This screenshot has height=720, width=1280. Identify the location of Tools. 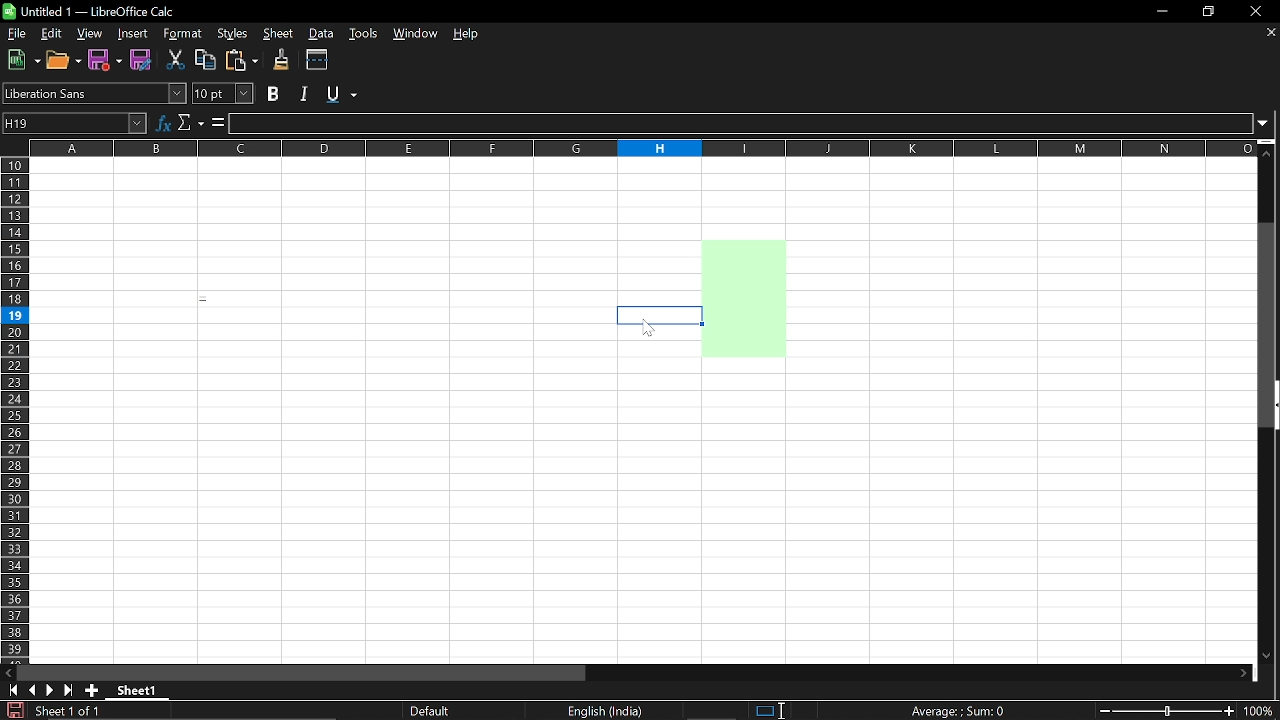
(366, 35).